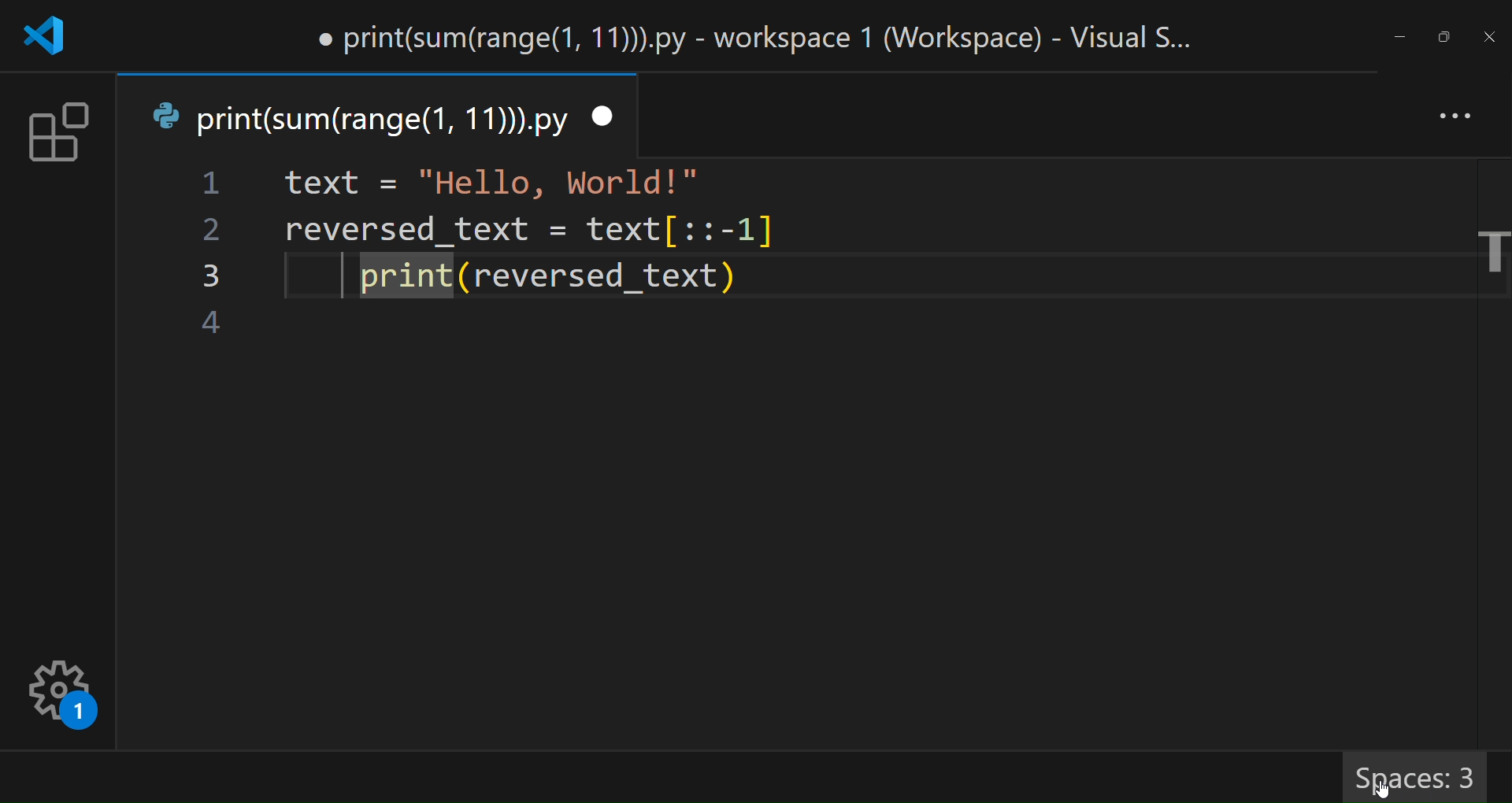 This screenshot has width=1512, height=803. What do you see at coordinates (761, 40) in the screenshot?
I see `title` at bounding box center [761, 40].